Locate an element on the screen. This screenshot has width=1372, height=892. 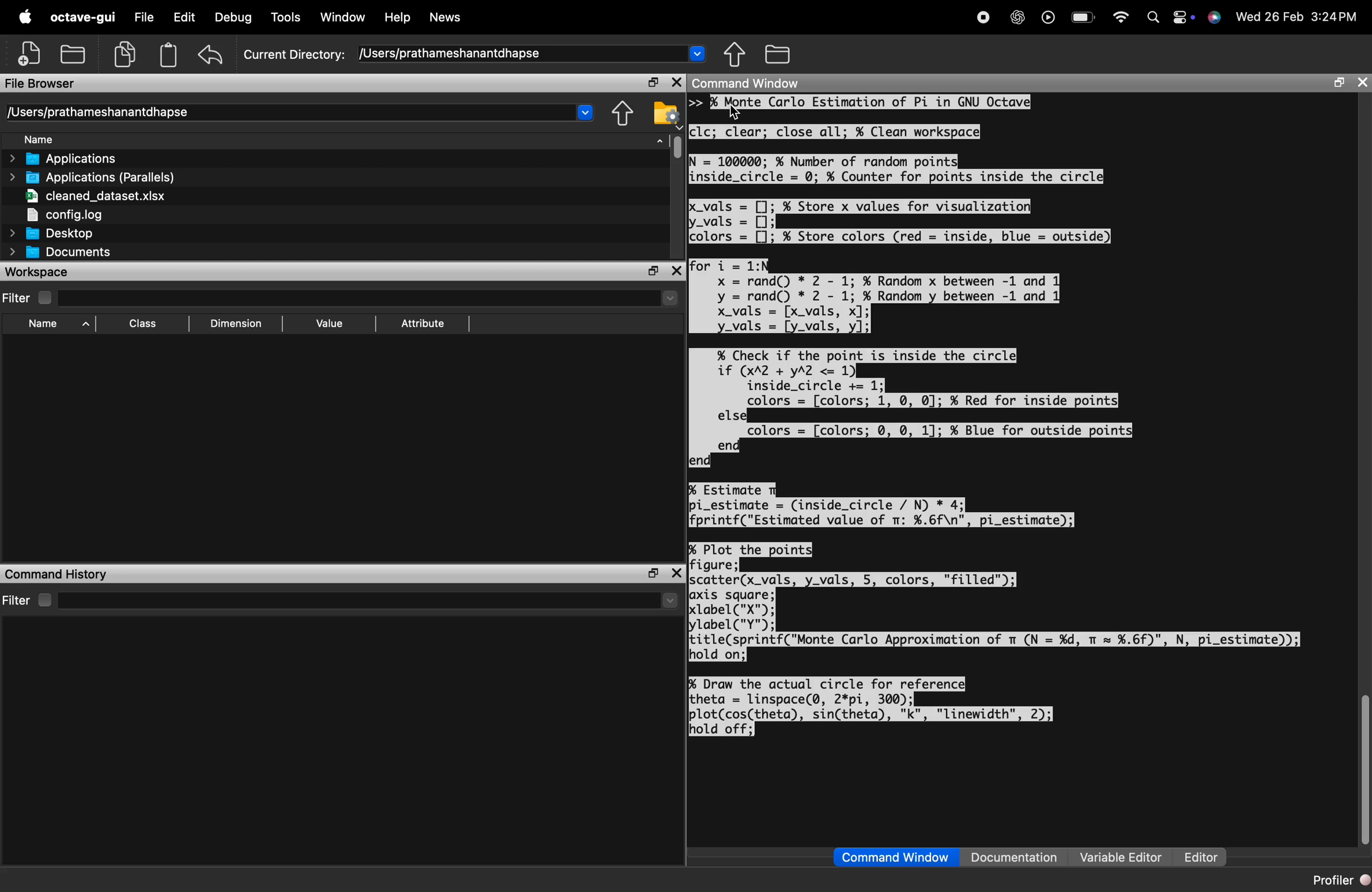
Workspace is located at coordinates (45, 271).